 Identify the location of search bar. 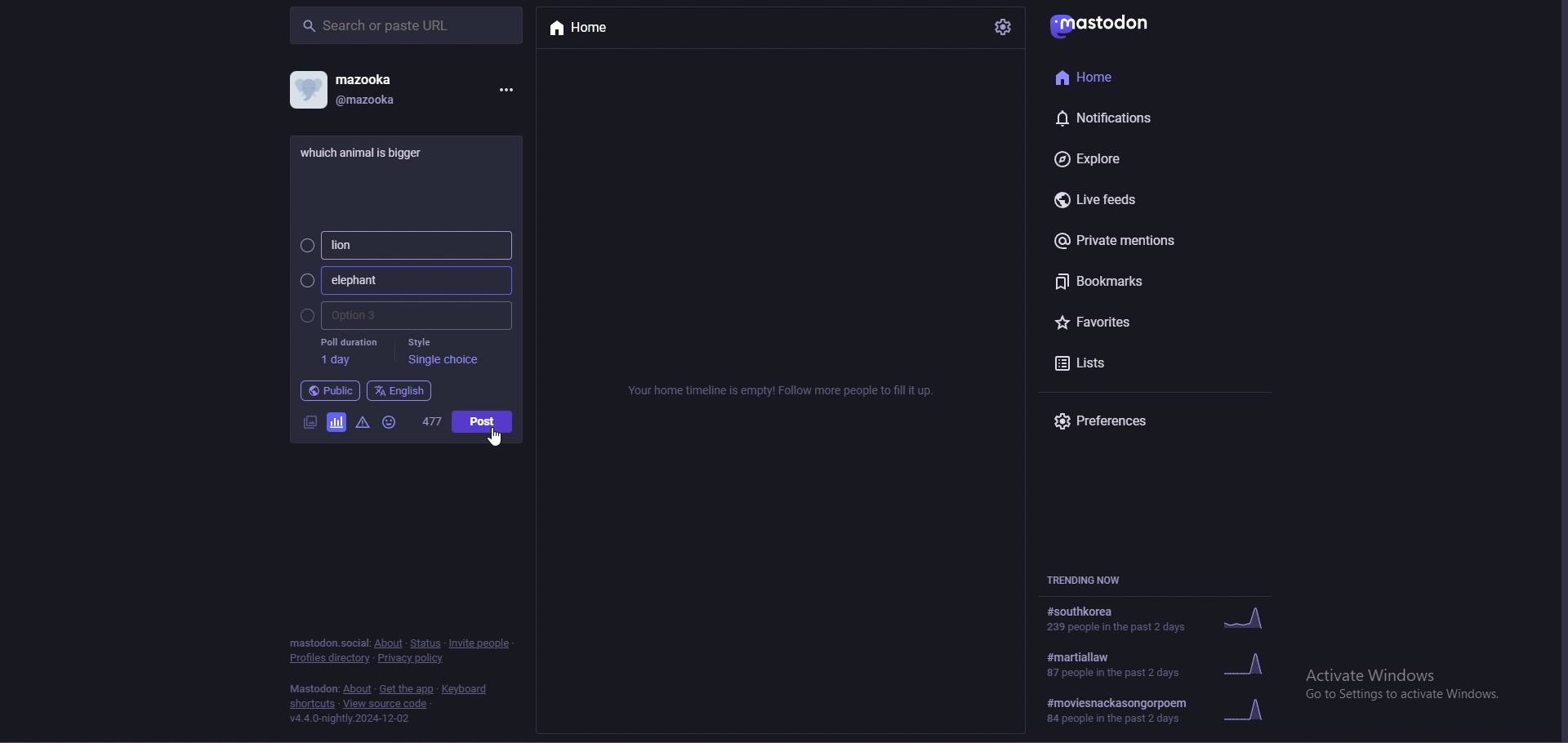
(406, 24).